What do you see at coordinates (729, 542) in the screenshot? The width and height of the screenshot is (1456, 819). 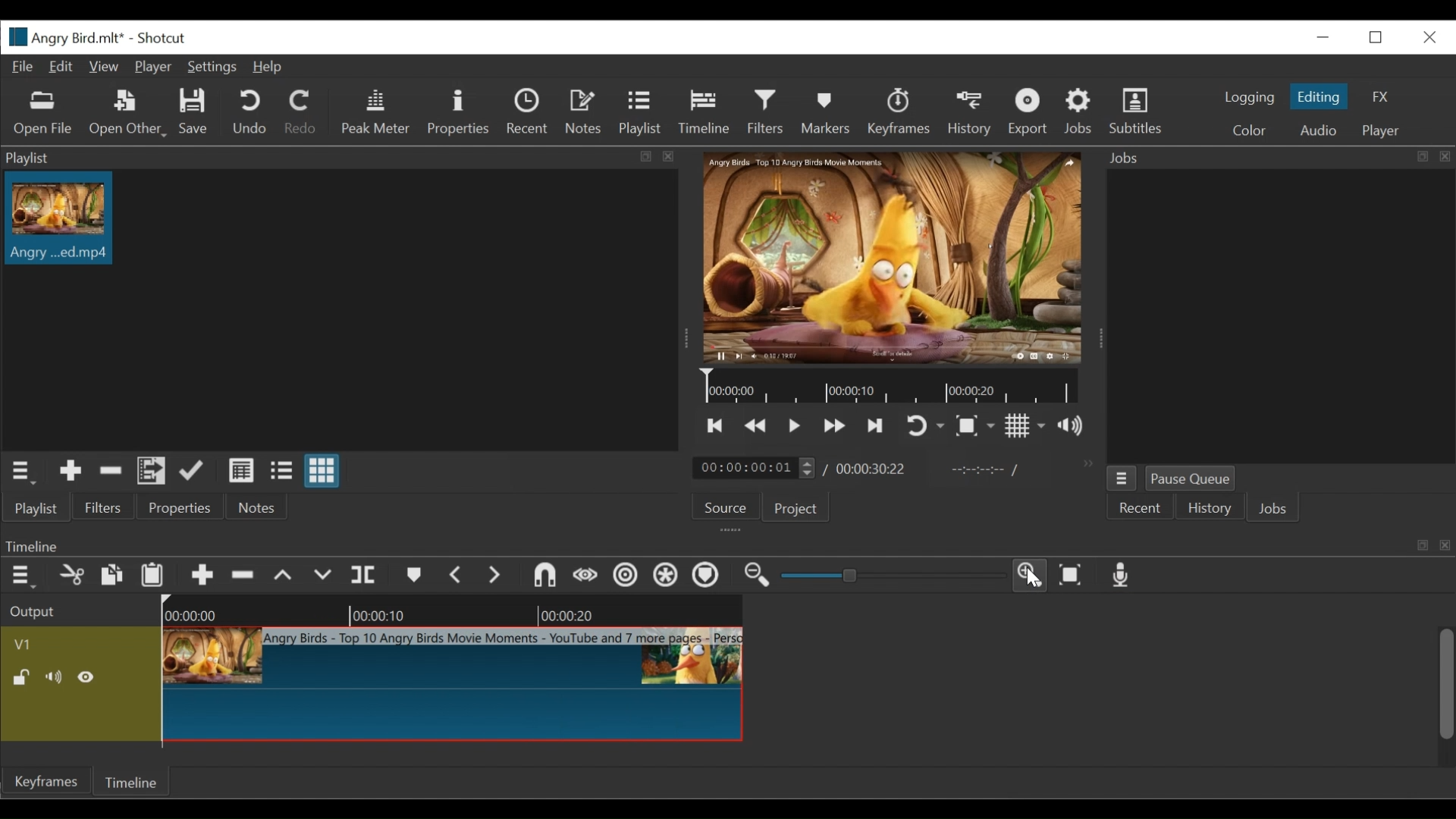 I see `Timeline Panel` at bounding box center [729, 542].